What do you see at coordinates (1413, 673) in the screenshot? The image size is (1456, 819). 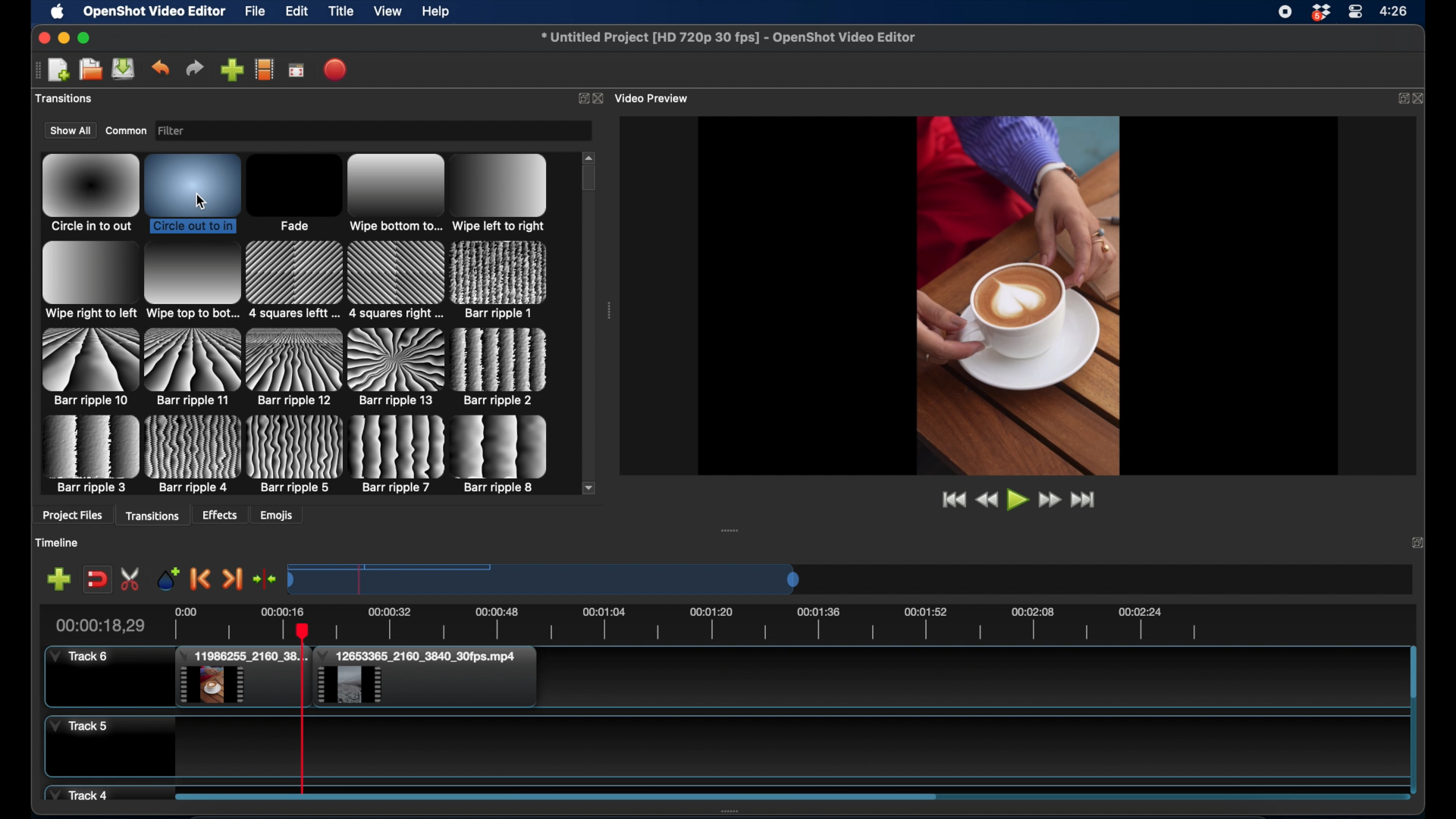 I see `scroll bar` at bounding box center [1413, 673].